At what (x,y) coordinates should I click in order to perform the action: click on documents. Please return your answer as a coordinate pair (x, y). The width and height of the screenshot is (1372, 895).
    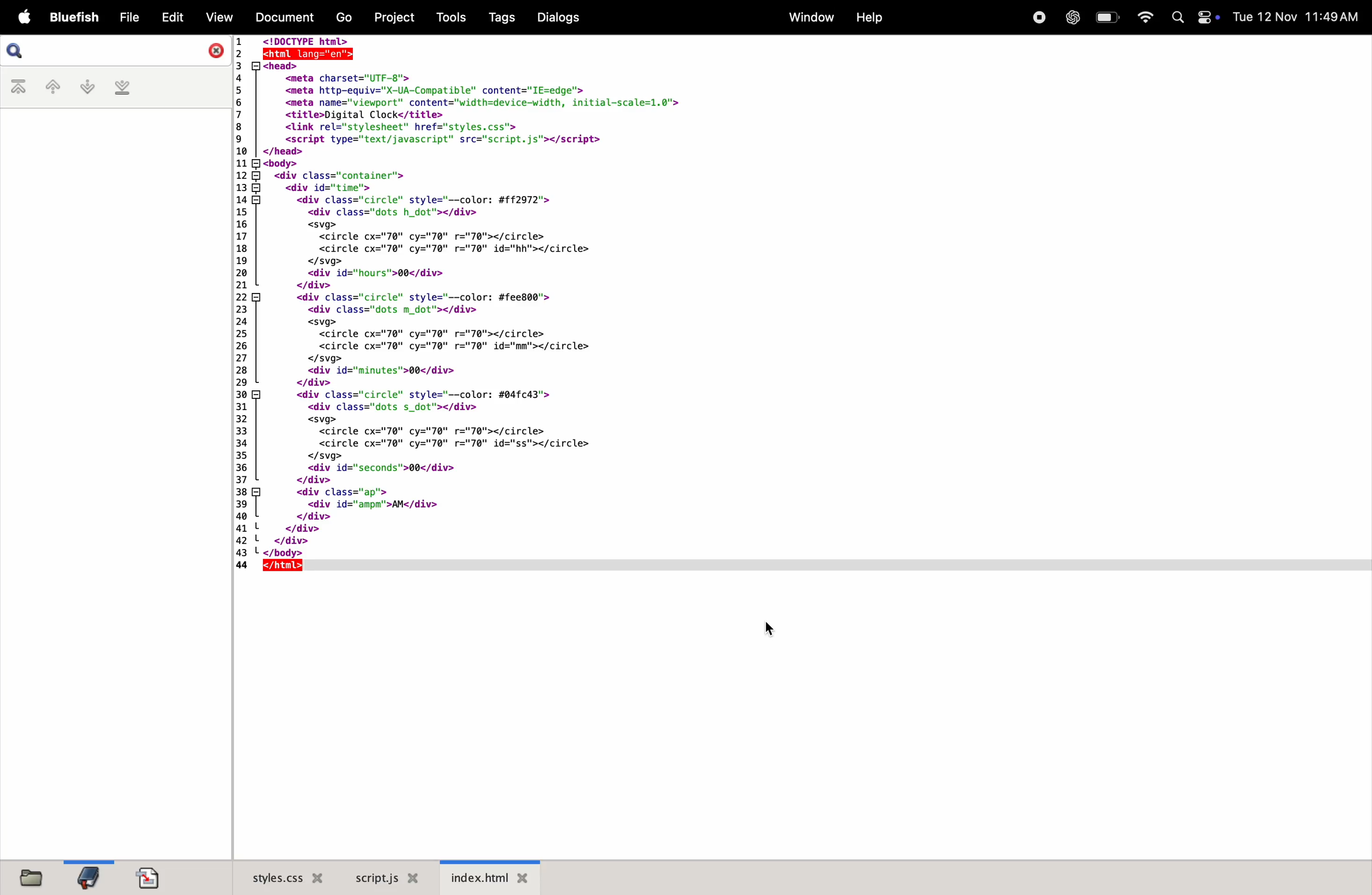
    Looking at the image, I should click on (281, 17).